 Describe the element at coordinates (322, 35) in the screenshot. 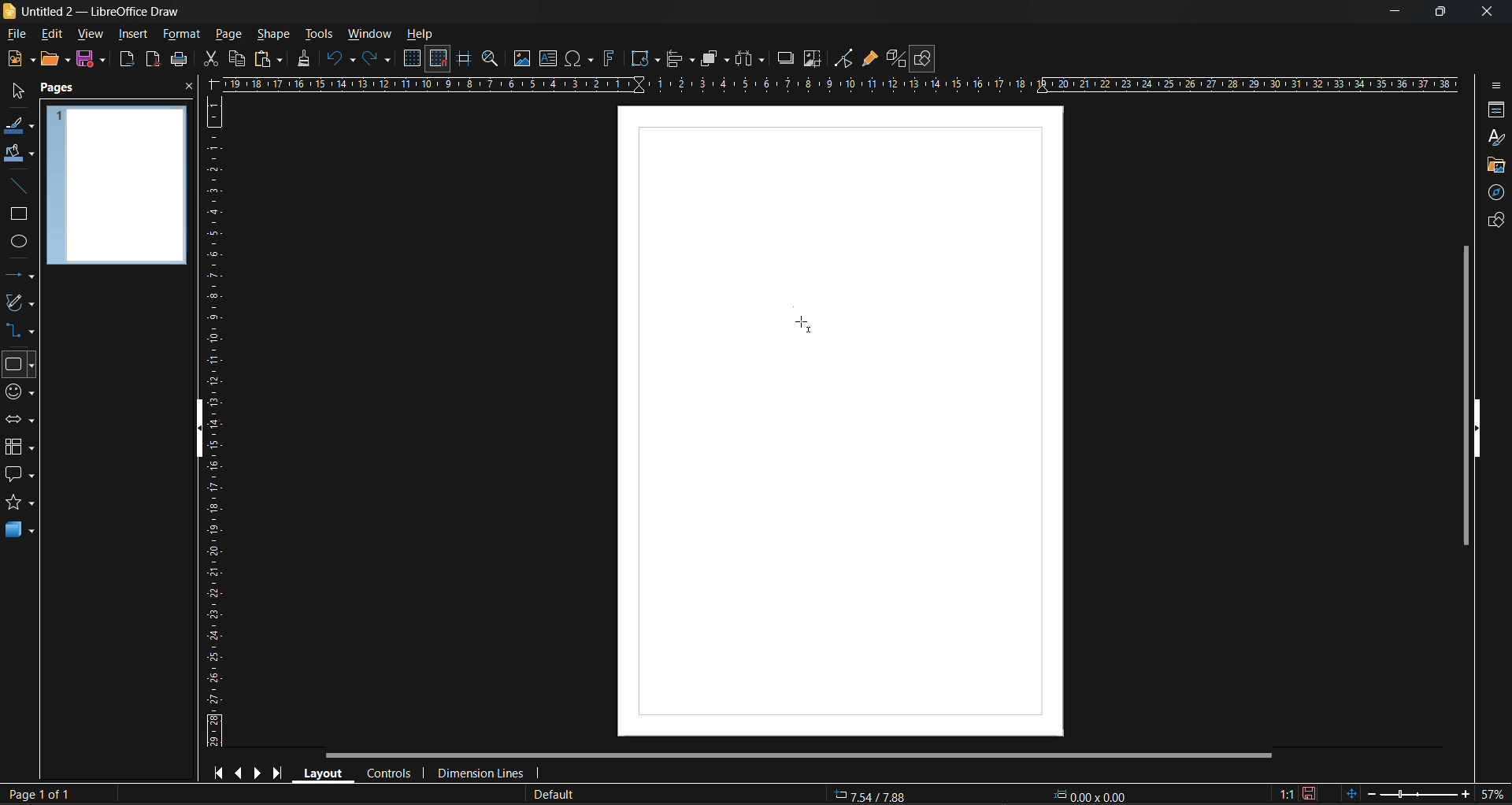

I see `tools` at that location.